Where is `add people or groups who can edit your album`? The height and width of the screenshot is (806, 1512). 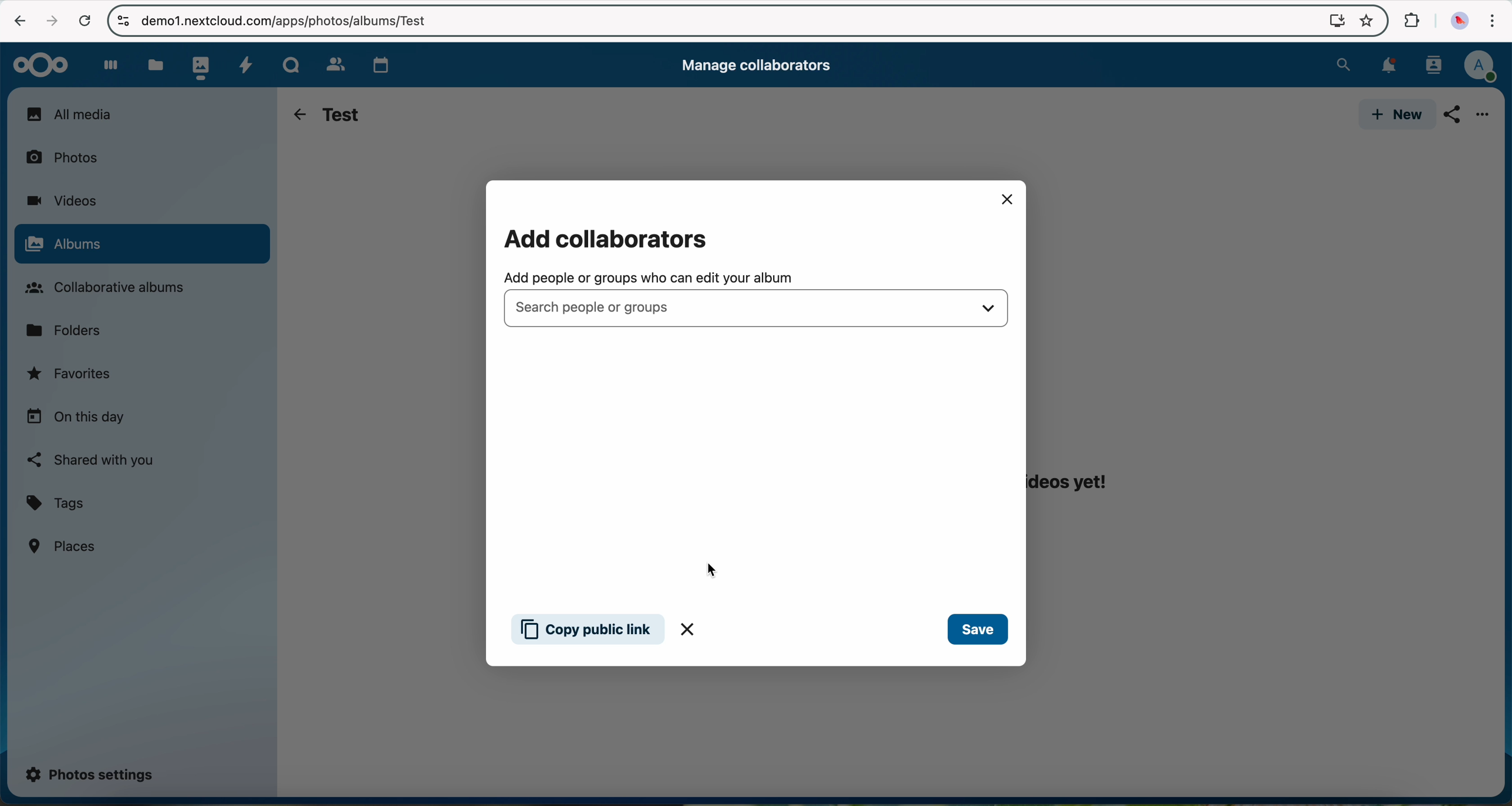
add people or groups who can edit your album is located at coordinates (649, 277).